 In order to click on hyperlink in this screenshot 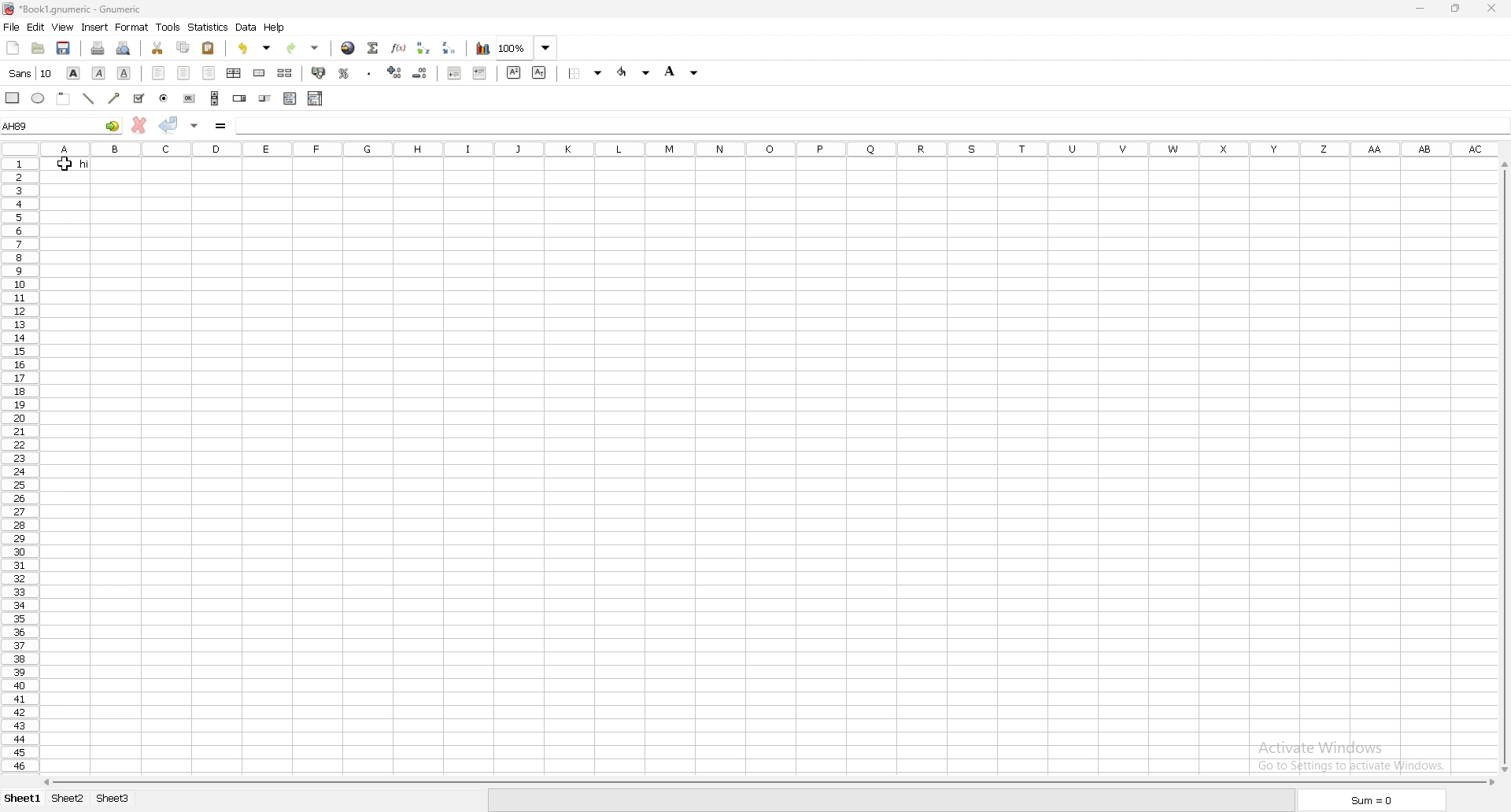, I will do `click(347, 49)`.